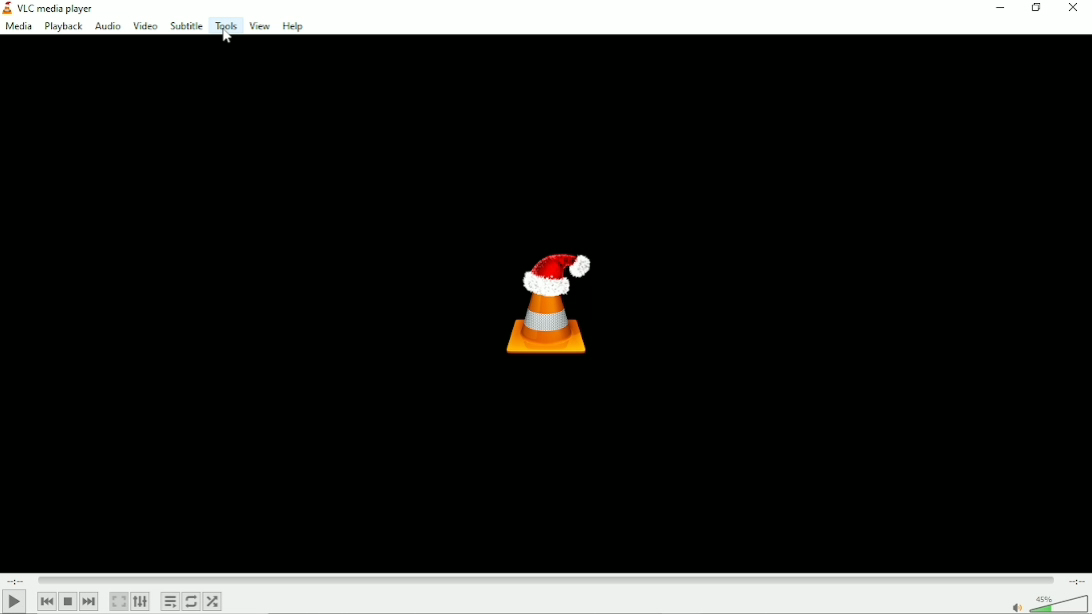 The height and width of the screenshot is (614, 1092). Describe the element at coordinates (89, 601) in the screenshot. I see `Next` at that location.